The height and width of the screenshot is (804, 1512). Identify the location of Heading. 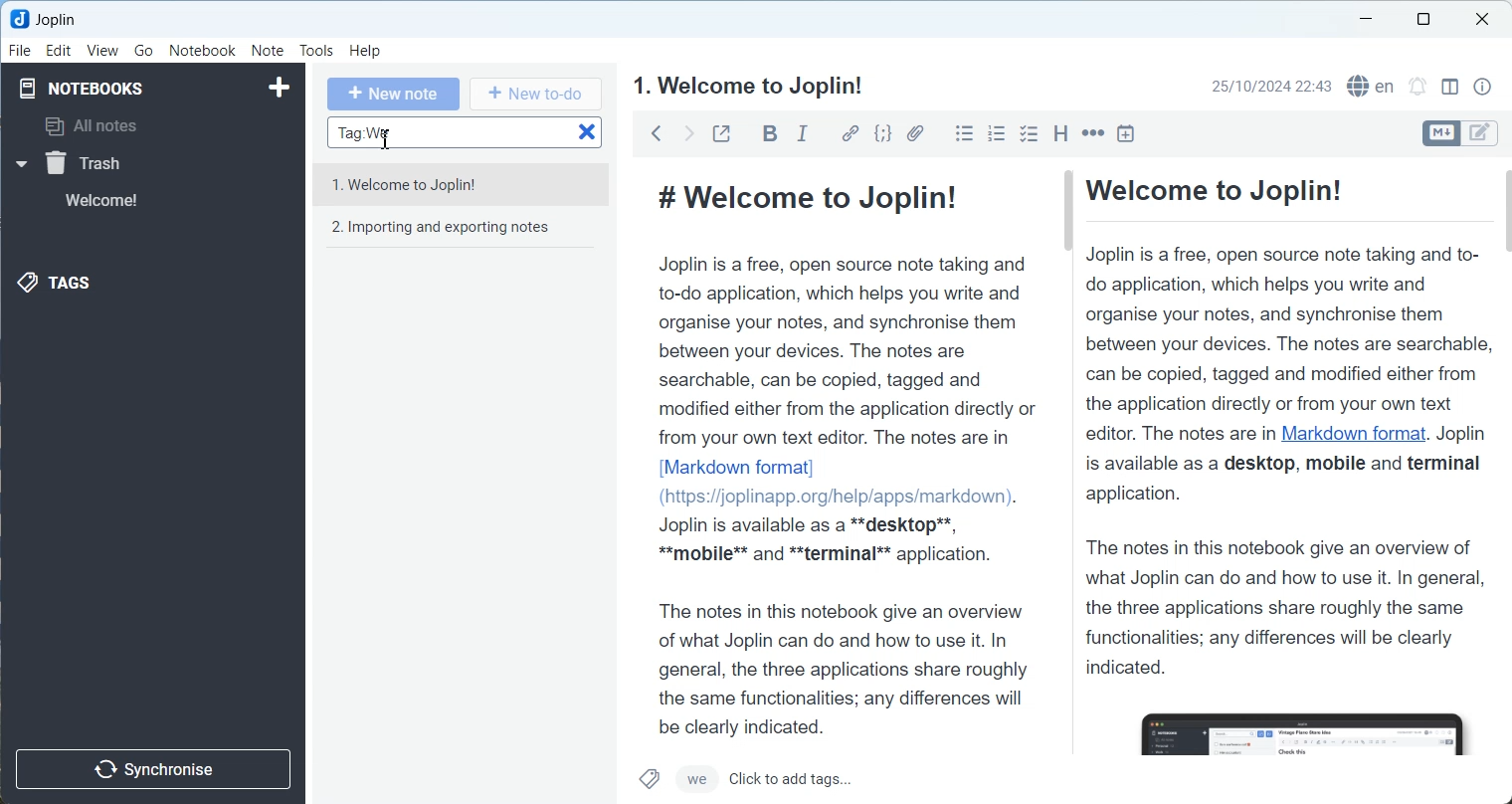
(1060, 132).